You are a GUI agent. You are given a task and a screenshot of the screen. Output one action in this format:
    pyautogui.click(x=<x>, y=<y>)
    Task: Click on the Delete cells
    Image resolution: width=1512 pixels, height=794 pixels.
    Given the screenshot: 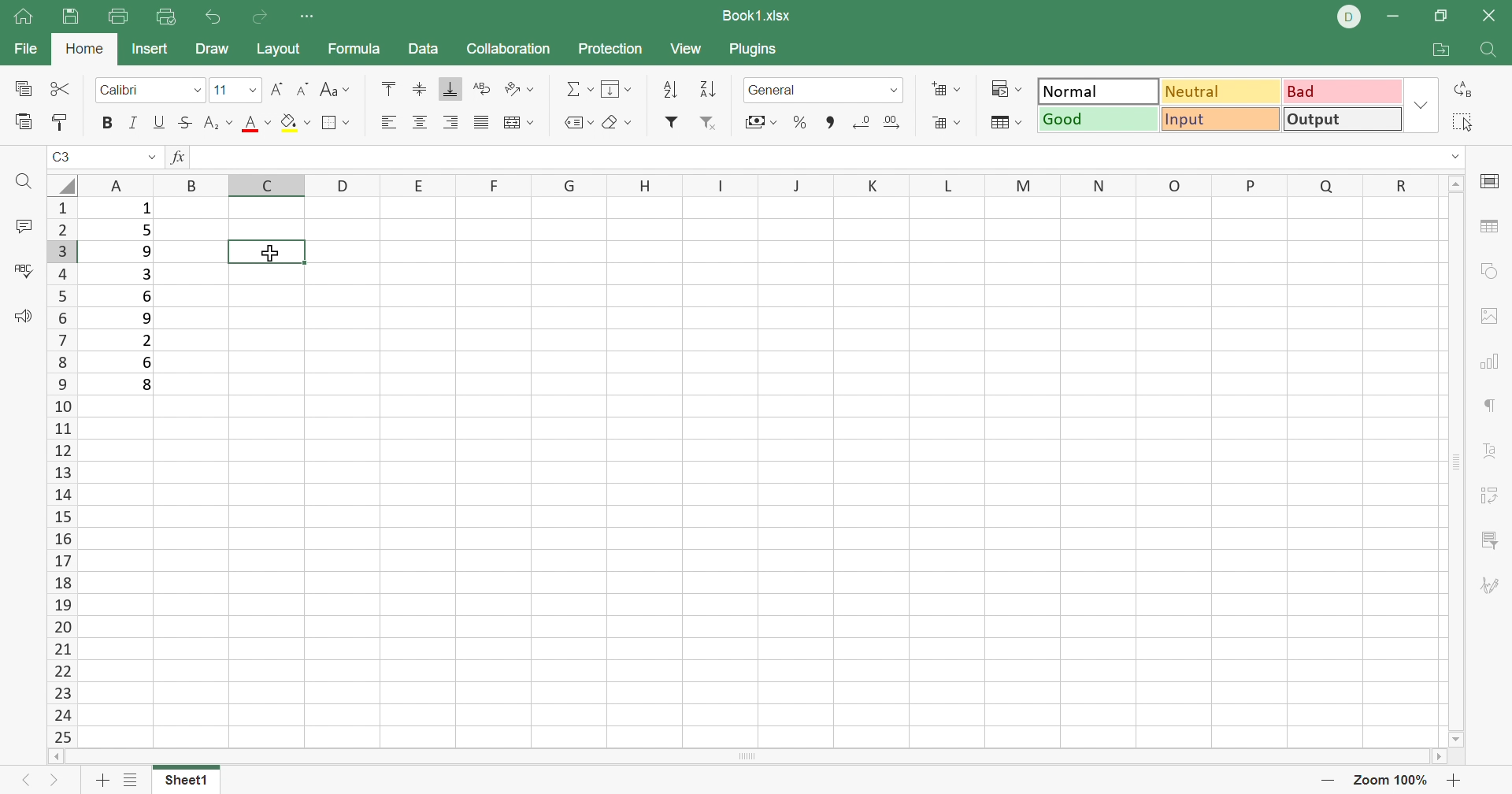 What is the action you would take?
    pyautogui.click(x=946, y=123)
    